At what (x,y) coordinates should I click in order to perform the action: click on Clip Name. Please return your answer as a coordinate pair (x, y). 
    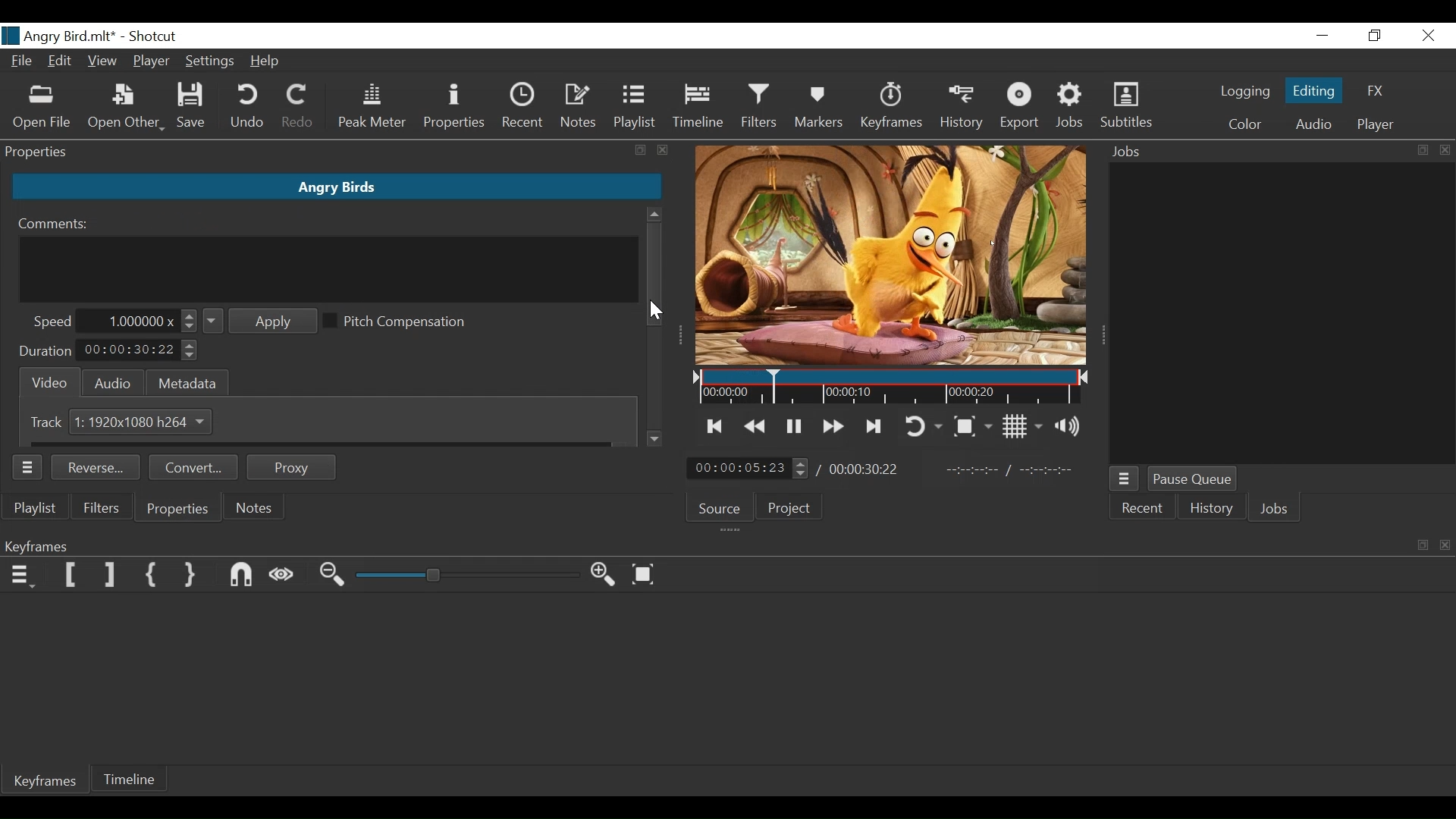
    Looking at the image, I should click on (335, 187).